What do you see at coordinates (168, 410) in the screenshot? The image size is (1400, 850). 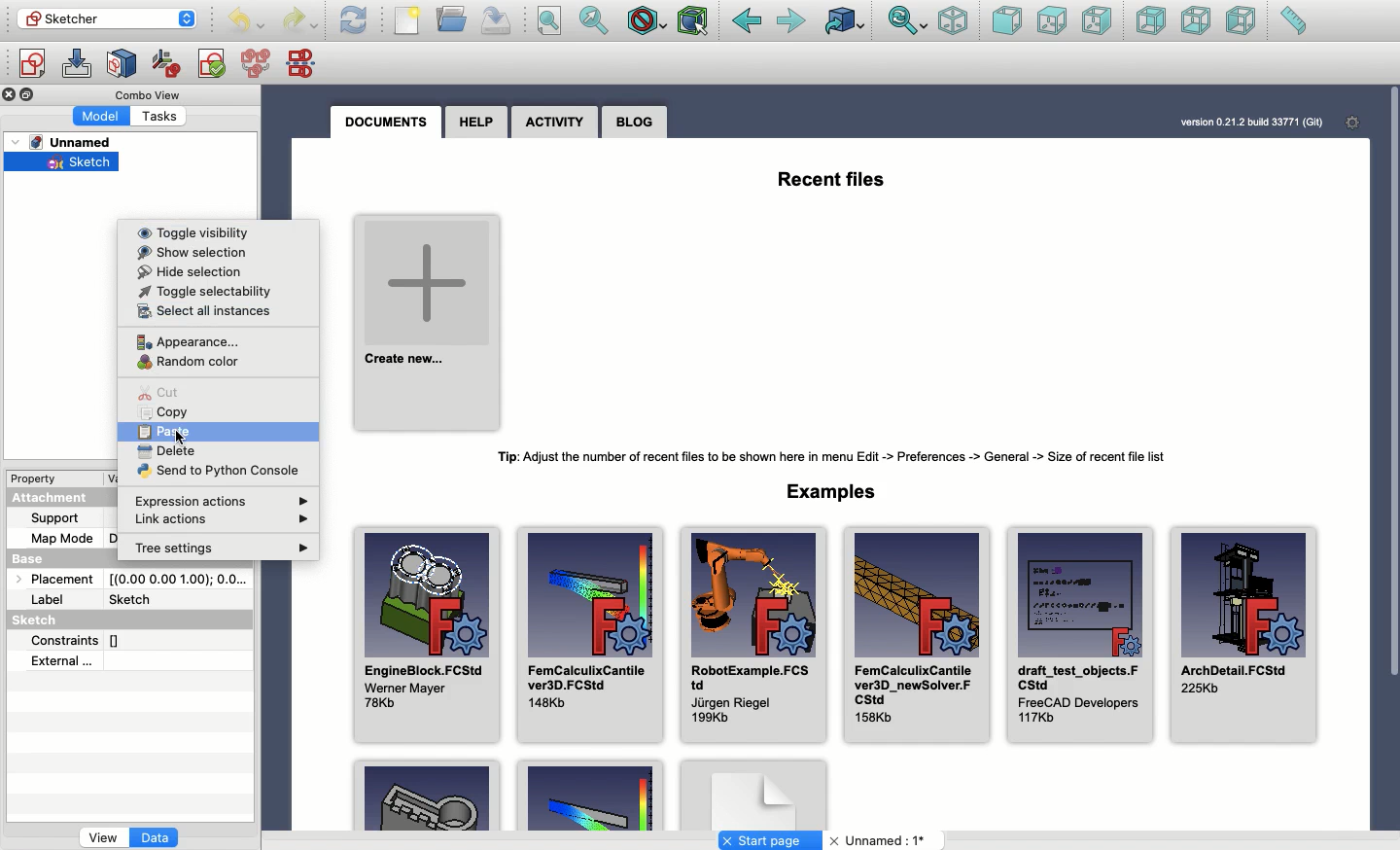 I see `Copy` at bounding box center [168, 410].